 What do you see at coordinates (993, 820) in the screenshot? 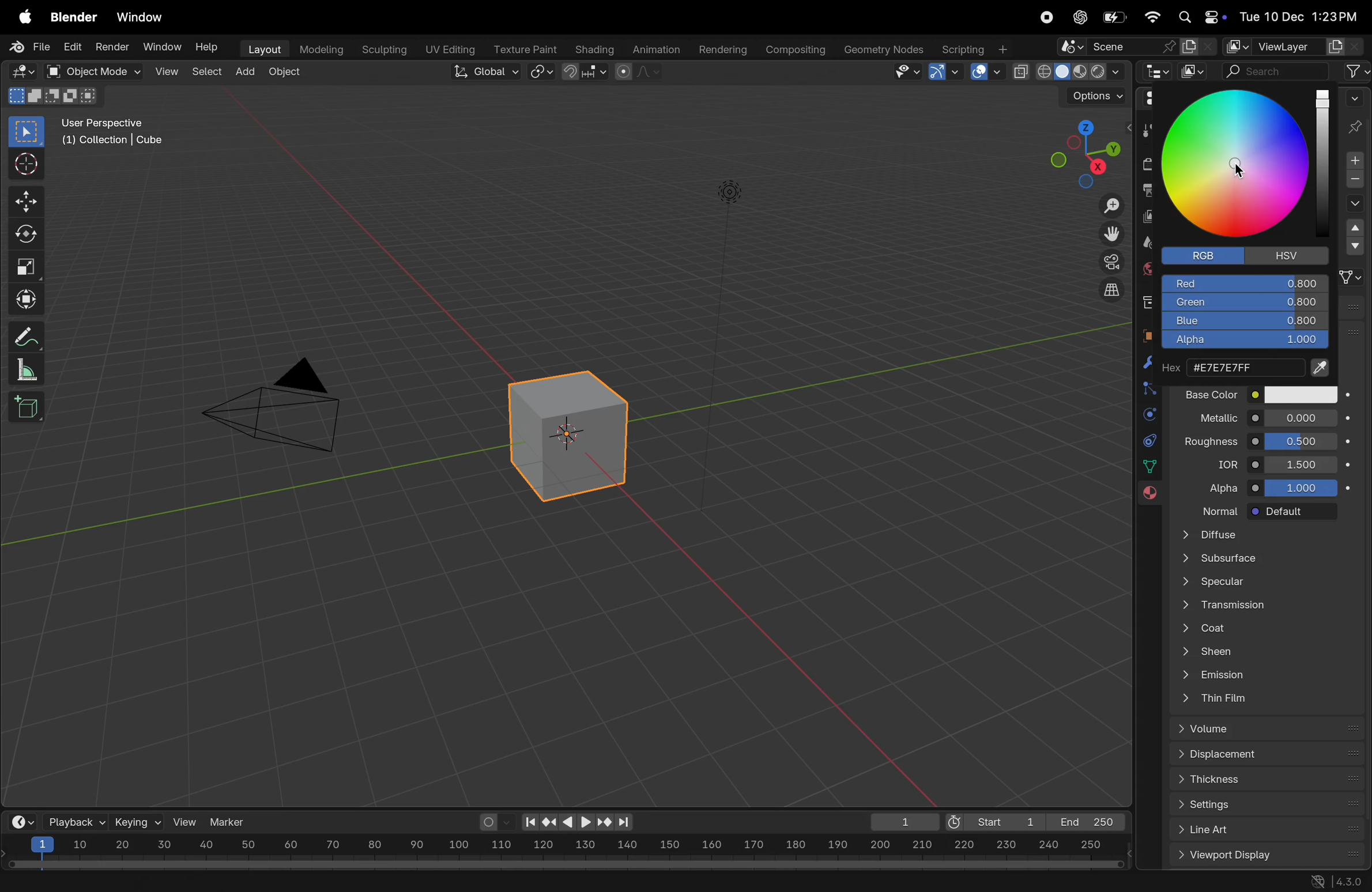
I see `Start 1` at bounding box center [993, 820].